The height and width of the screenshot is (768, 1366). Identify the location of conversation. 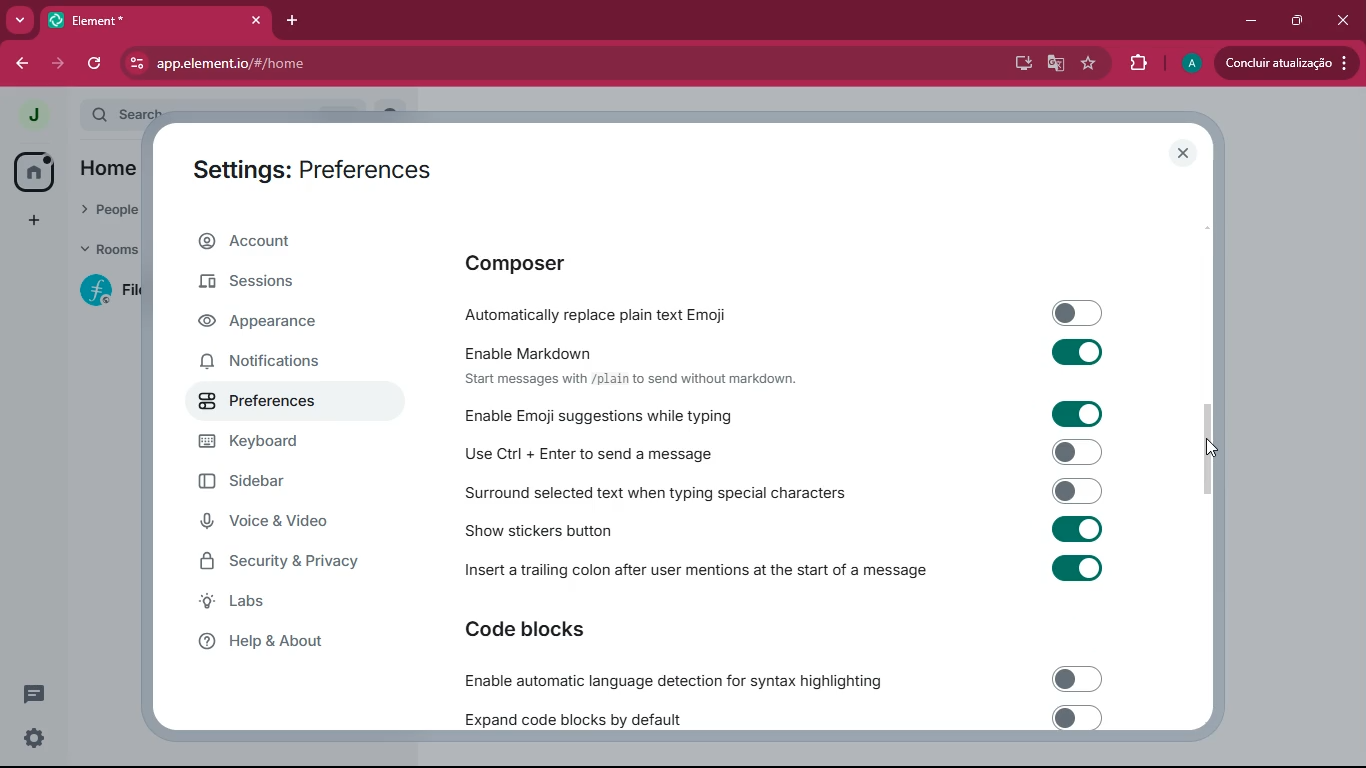
(30, 694).